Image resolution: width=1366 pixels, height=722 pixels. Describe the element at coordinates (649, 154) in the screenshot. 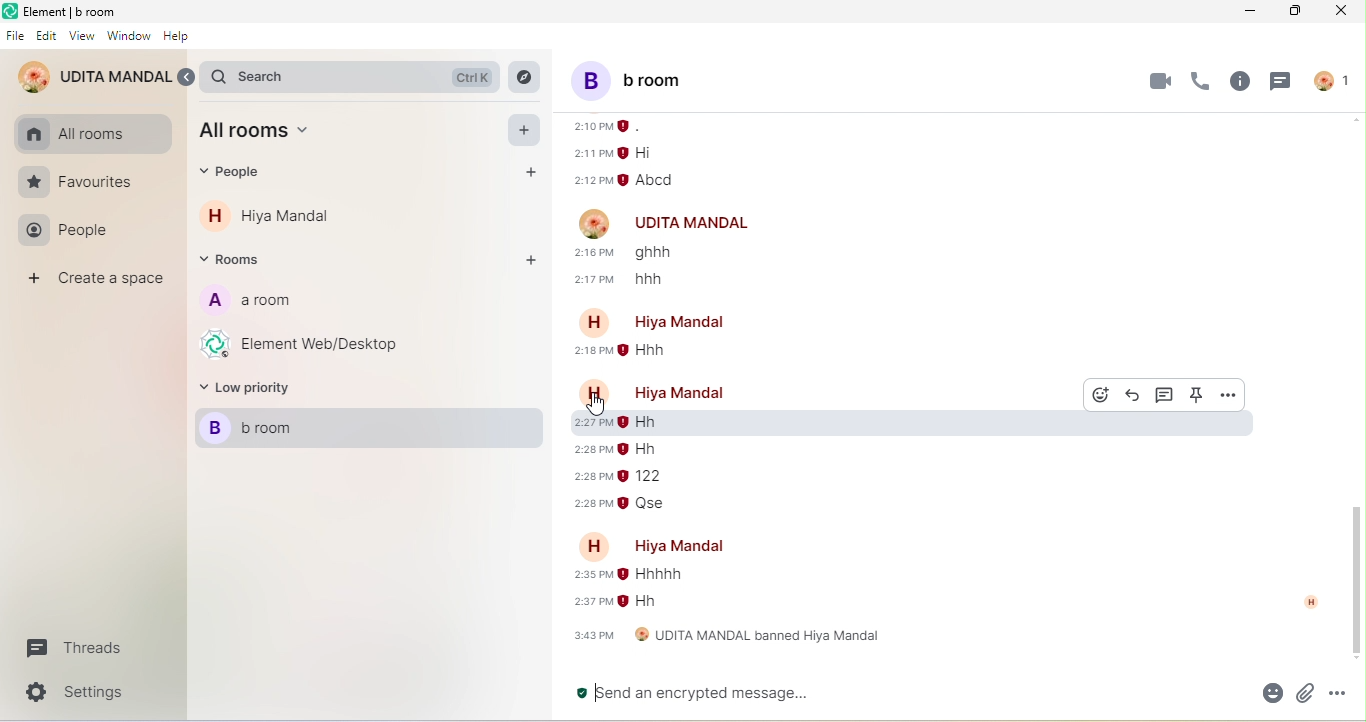

I see `hi message ` at that location.